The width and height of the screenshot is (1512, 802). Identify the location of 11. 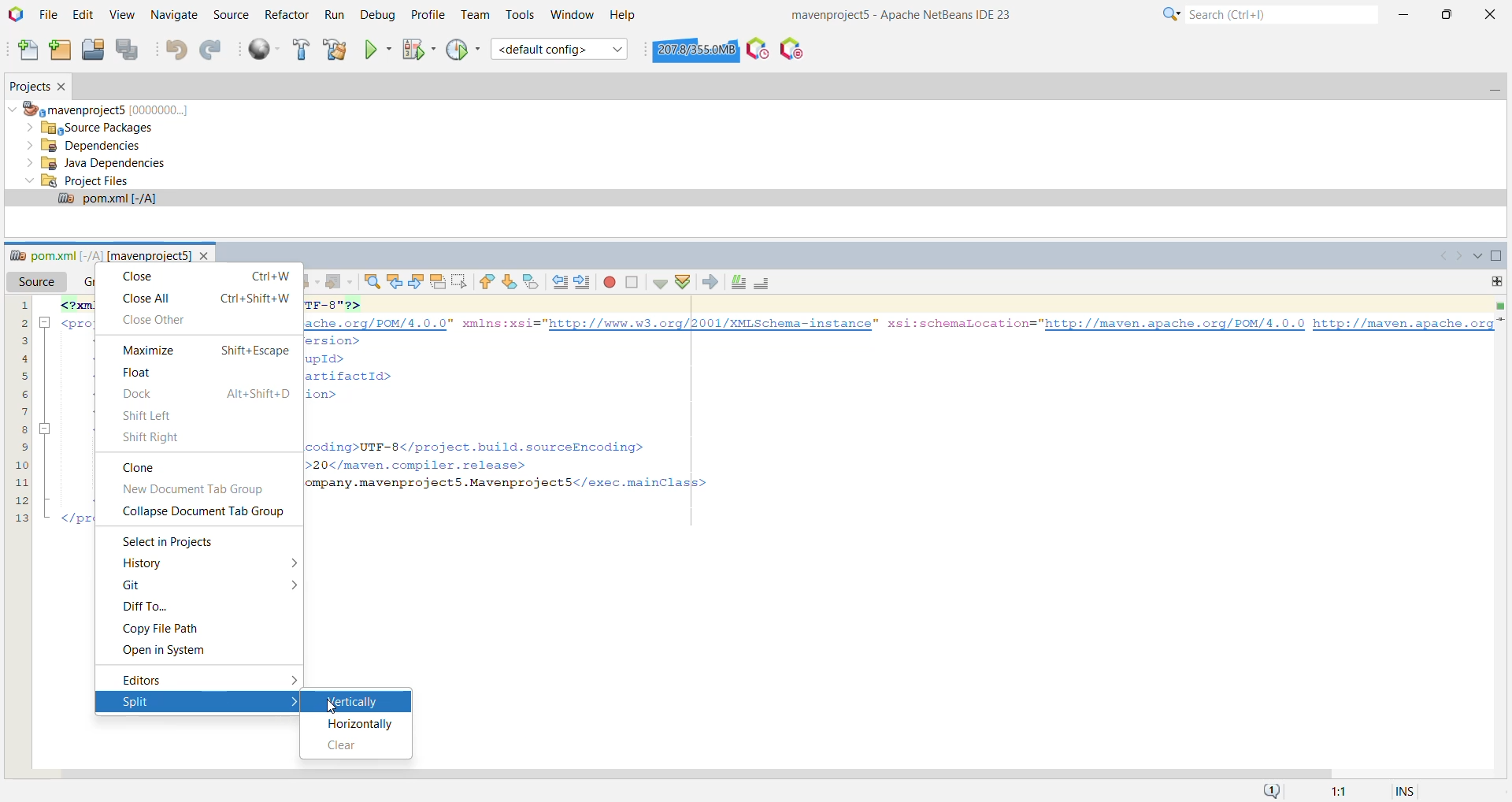
(22, 481).